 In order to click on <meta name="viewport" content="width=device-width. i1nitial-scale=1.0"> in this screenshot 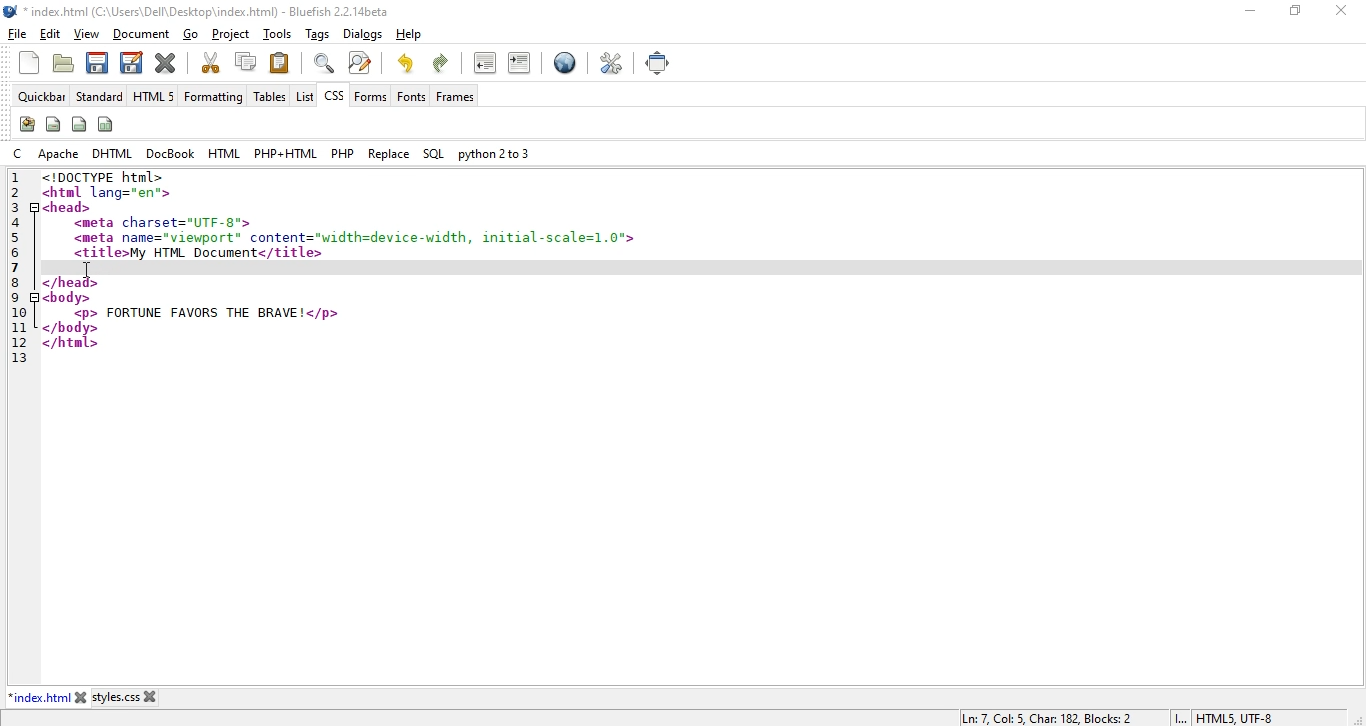, I will do `click(356, 236)`.